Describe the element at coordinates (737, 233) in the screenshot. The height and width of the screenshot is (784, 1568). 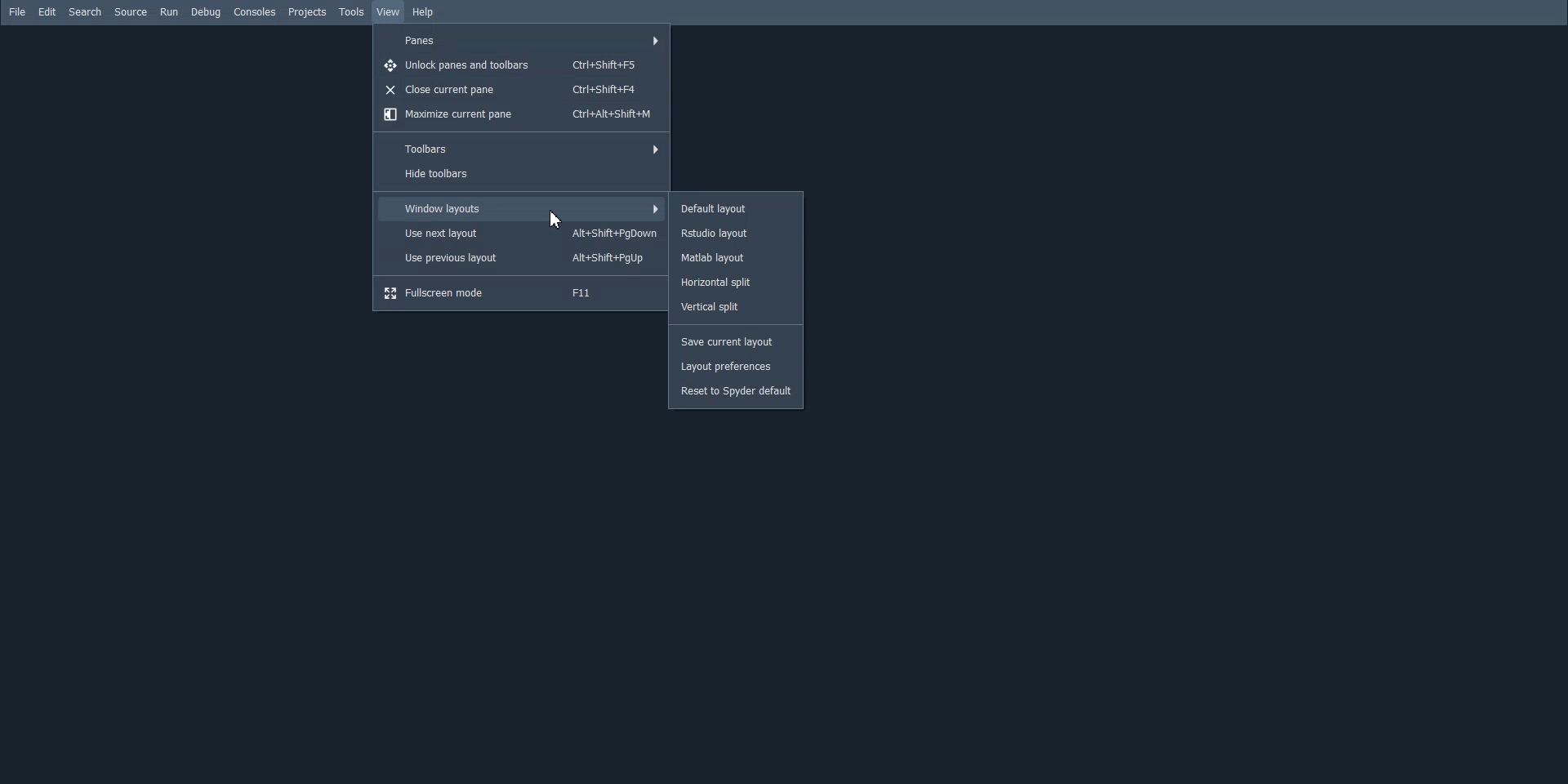
I see `Rstudio layout` at that location.